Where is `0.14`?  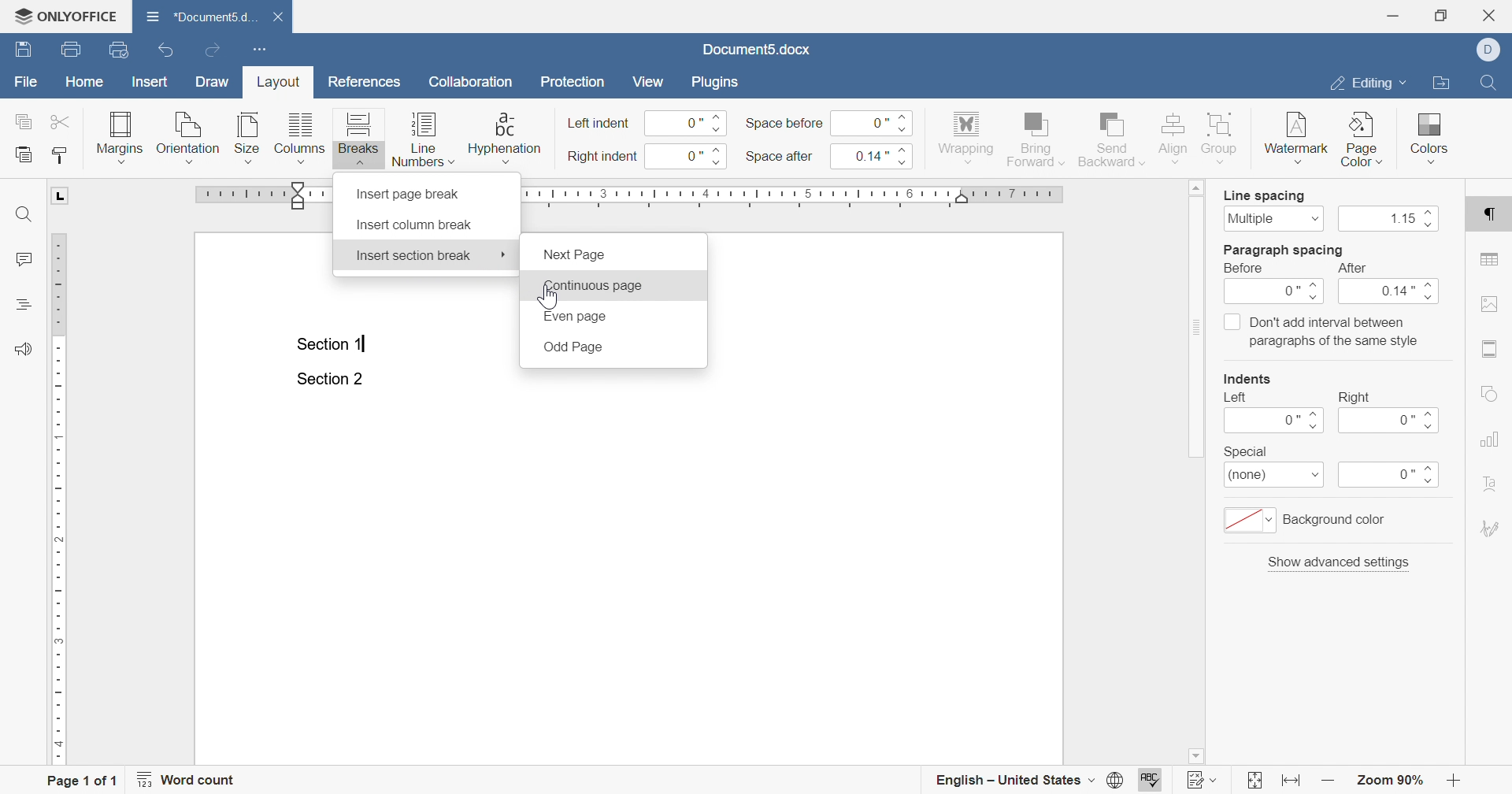 0.14 is located at coordinates (878, 155).